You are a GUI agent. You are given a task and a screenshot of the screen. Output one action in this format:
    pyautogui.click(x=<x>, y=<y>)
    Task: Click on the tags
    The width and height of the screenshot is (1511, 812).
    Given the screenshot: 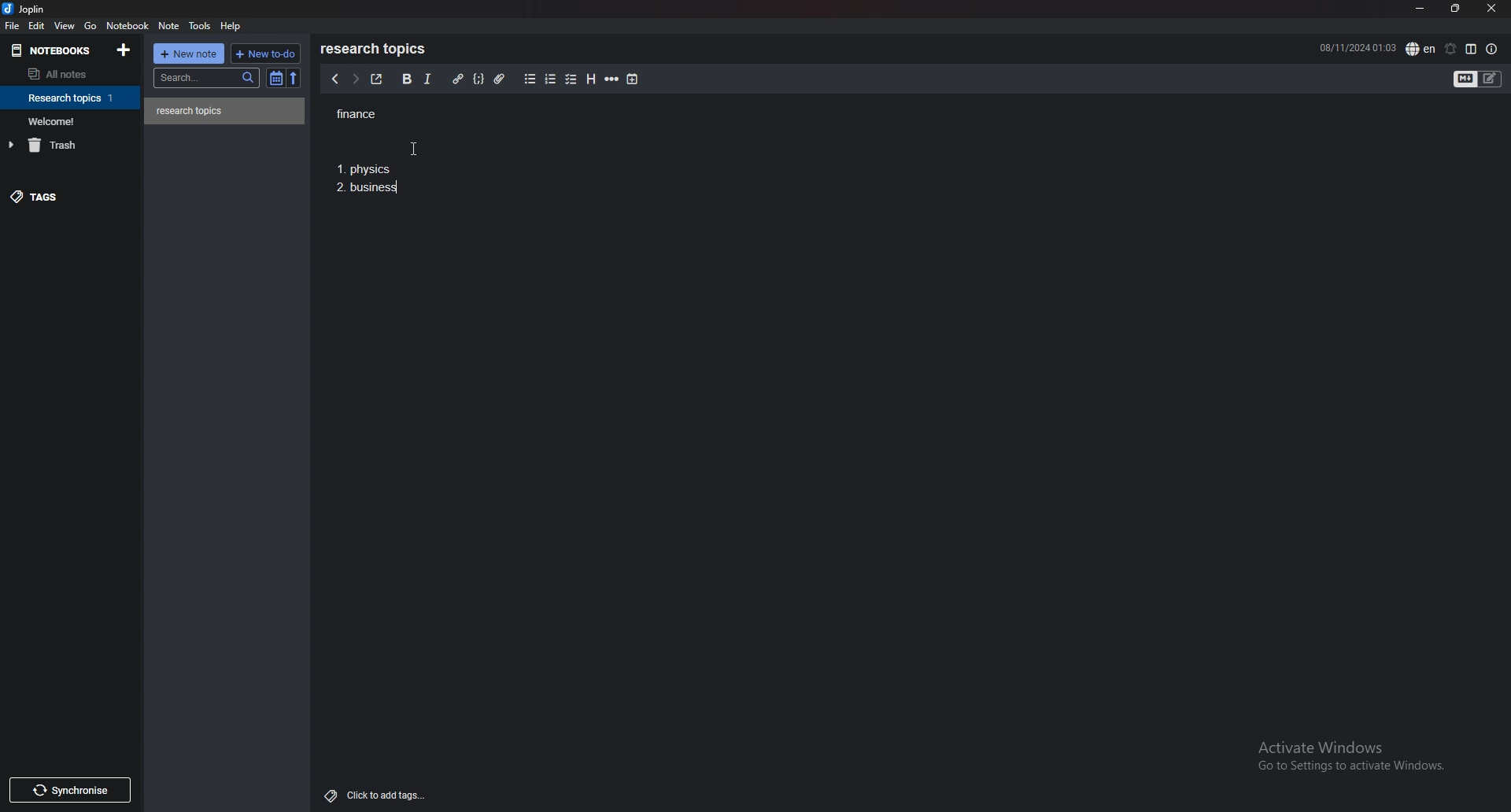 What is the action you would take?
    pyautogui.click(x=67, y=200)
    